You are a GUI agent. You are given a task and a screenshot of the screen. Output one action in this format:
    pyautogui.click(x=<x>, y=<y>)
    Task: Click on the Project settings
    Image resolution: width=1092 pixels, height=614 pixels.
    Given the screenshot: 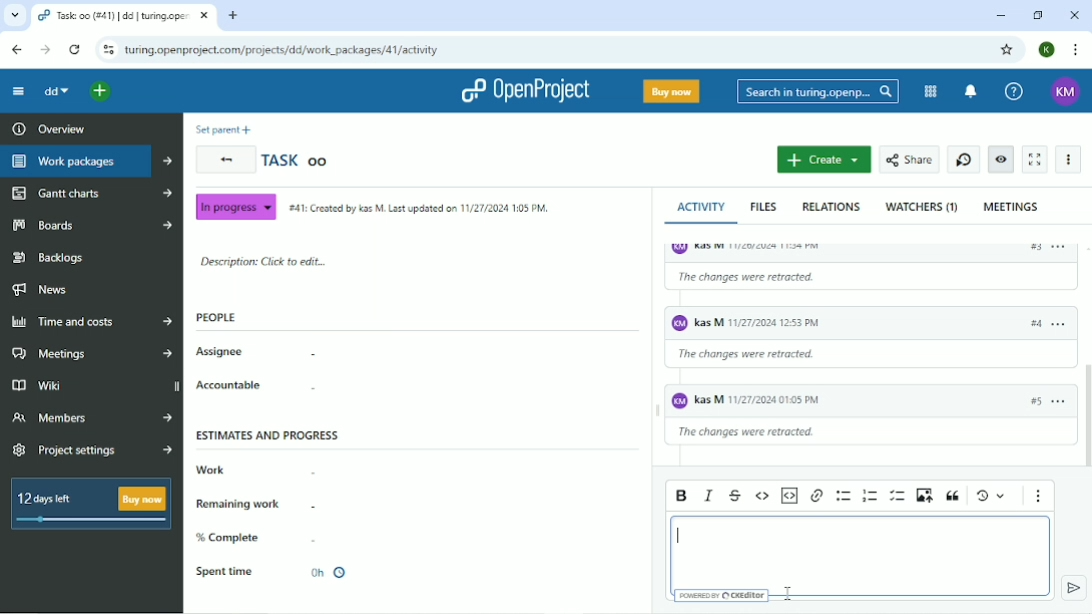 What is the action you would take?
    pyautogui.click(x=92, y=452)
    